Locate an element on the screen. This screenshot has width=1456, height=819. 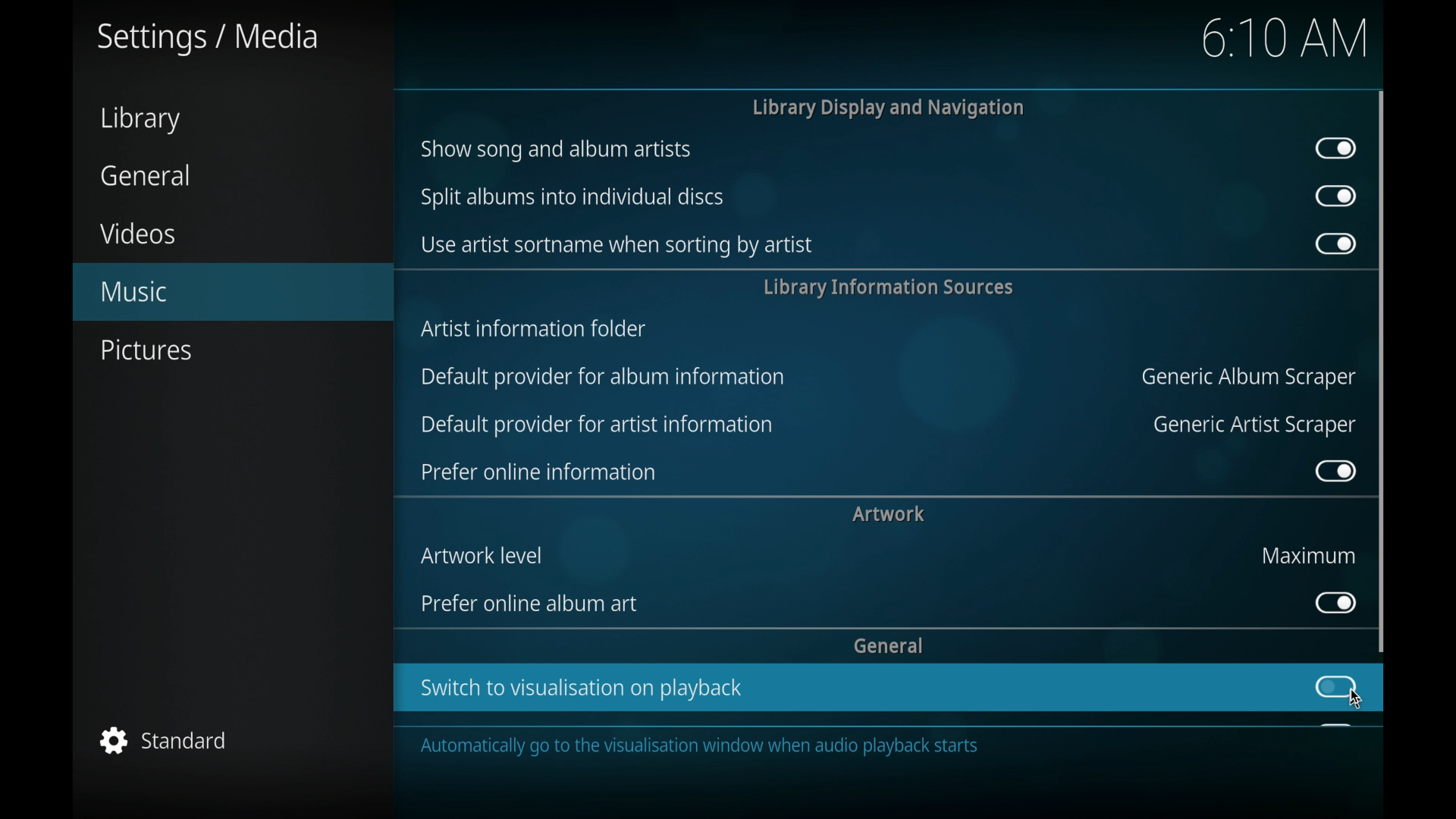
toggle button is located at coordinates (1335, 470).